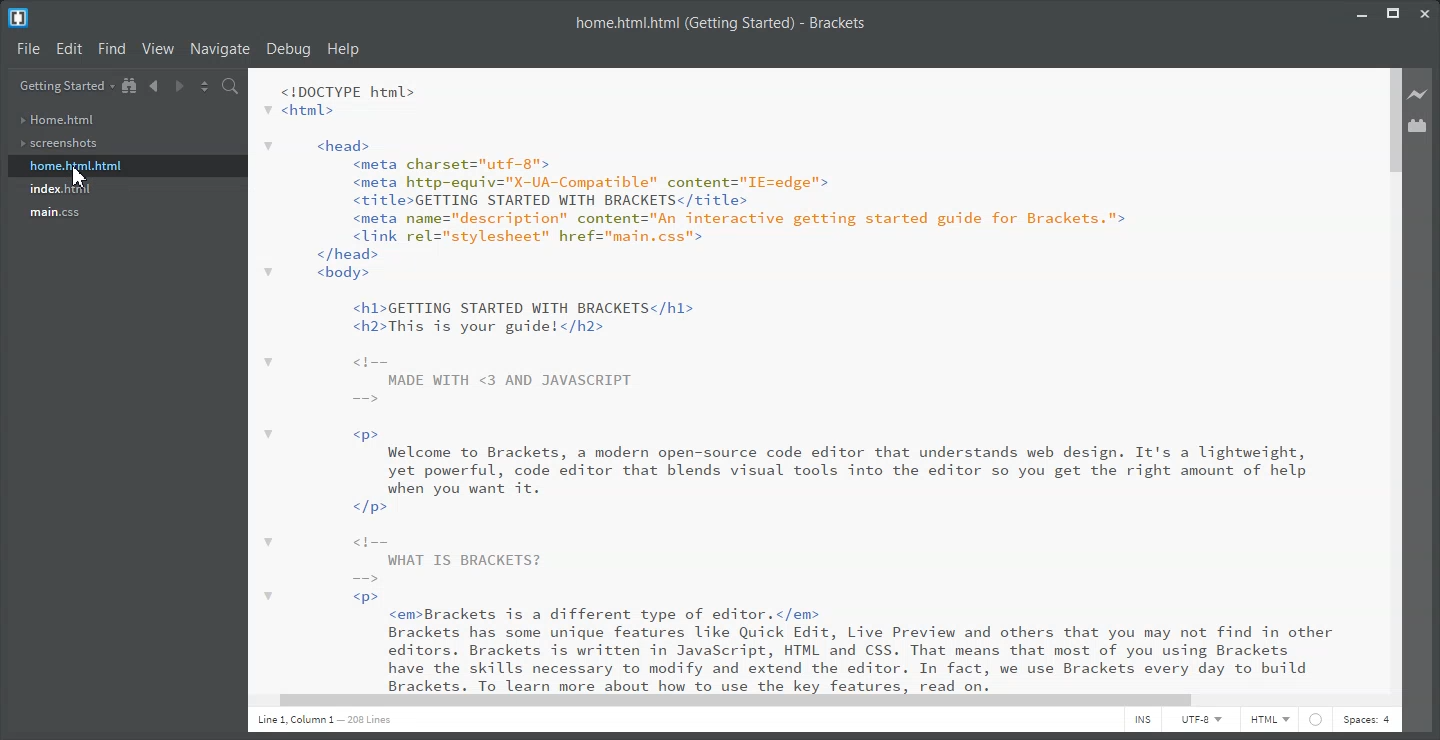  I want to click on Text 2, so click(806, 380).